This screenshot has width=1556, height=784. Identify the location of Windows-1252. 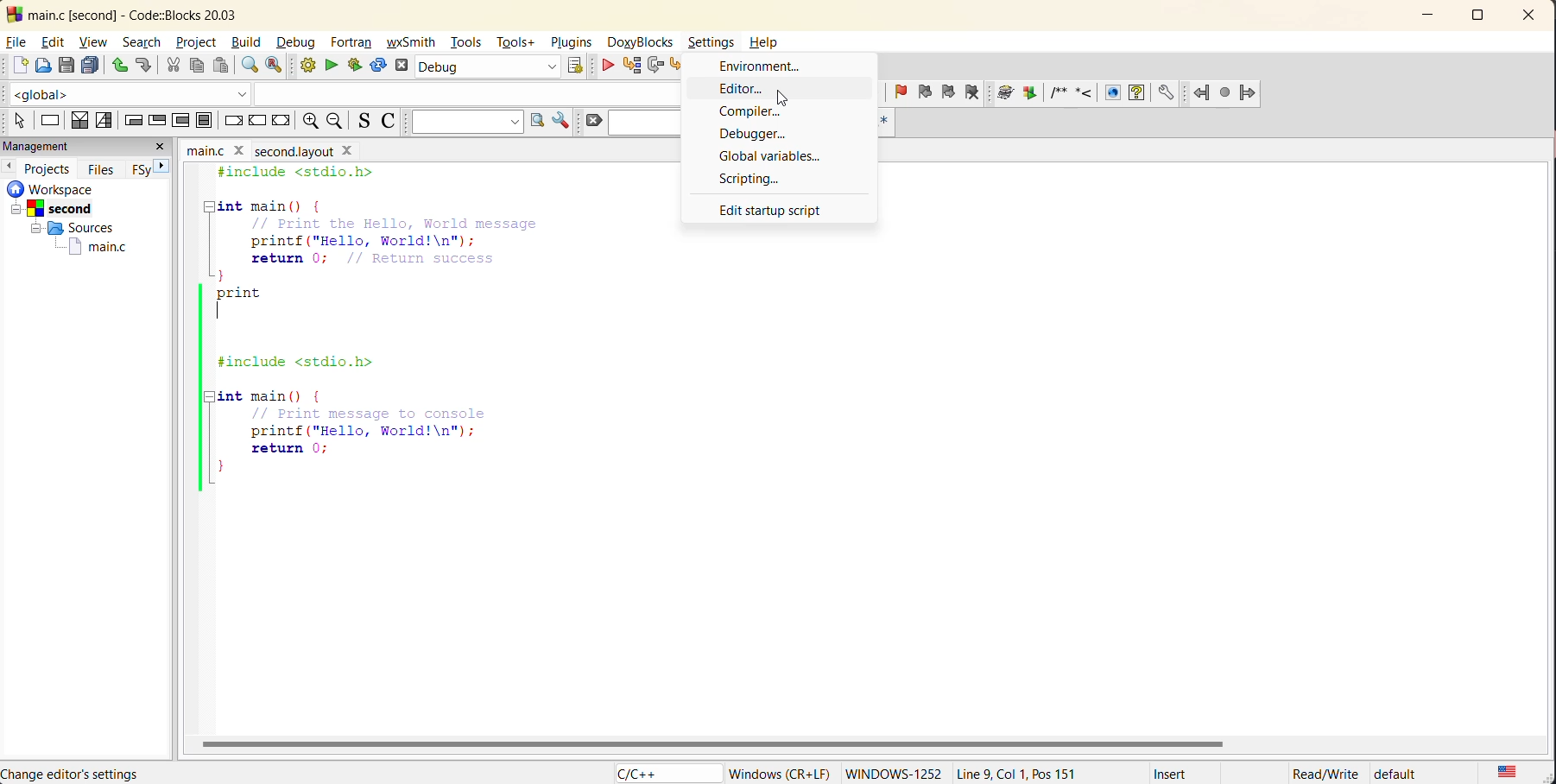
(893, 772).